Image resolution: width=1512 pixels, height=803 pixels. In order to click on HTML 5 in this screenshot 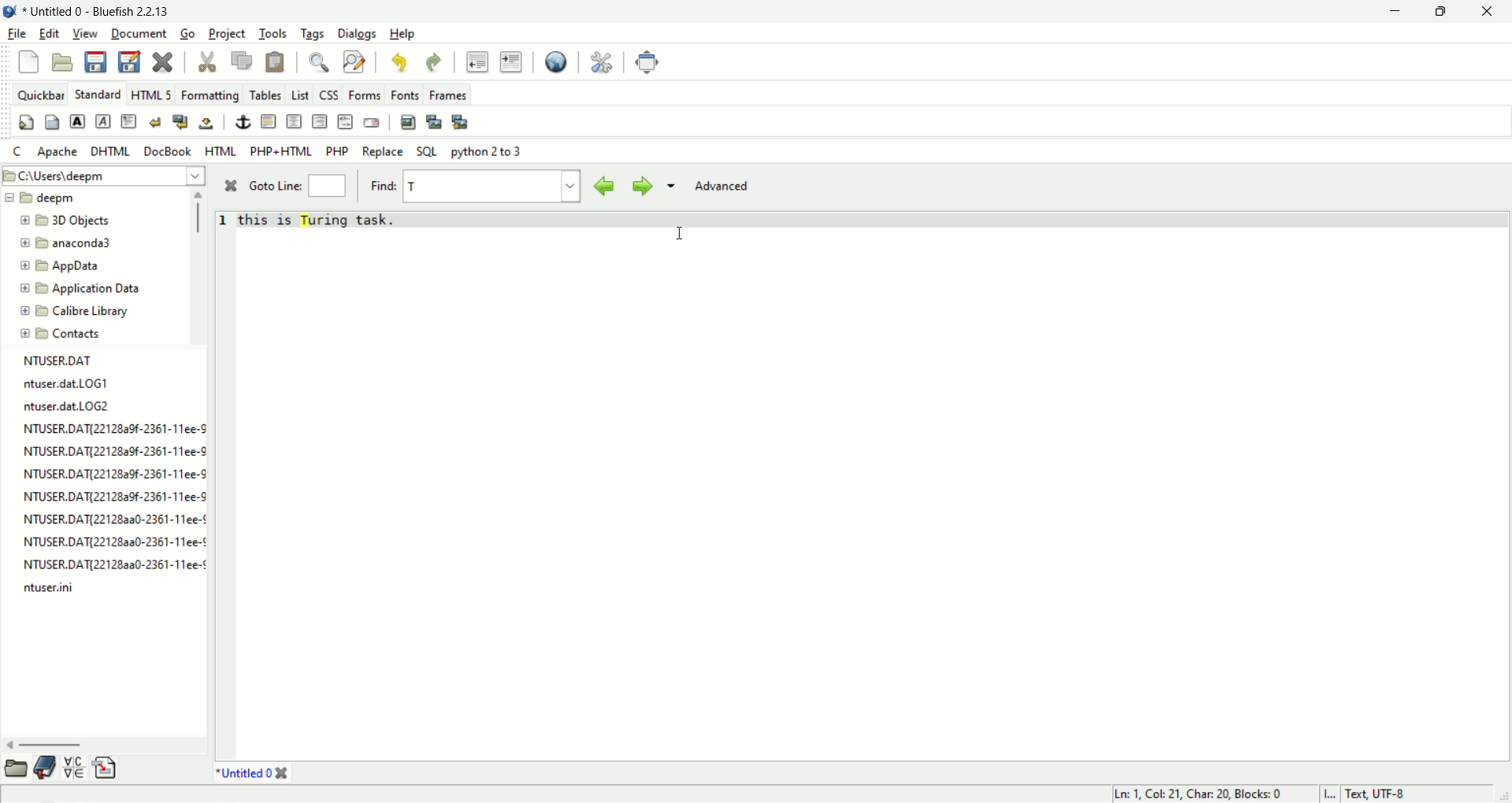, I will do `click(150, 94)`.